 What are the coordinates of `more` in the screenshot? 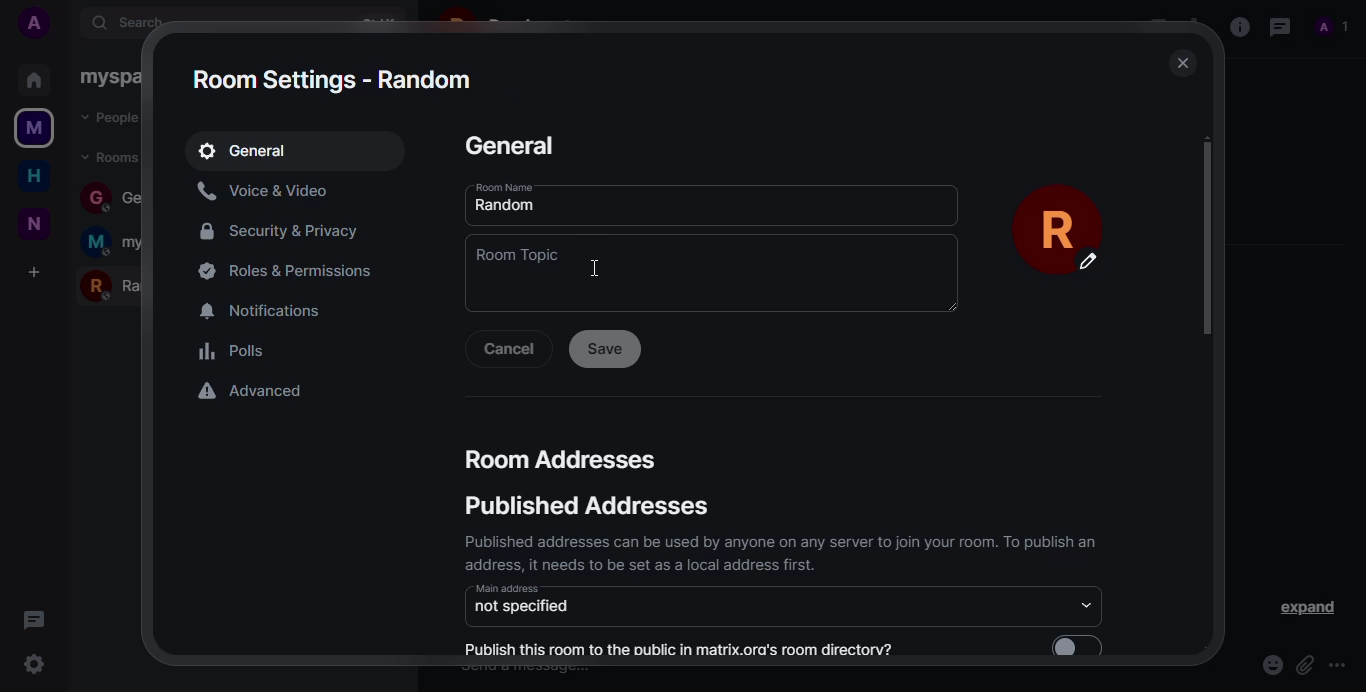 It's located at (1337, 666).